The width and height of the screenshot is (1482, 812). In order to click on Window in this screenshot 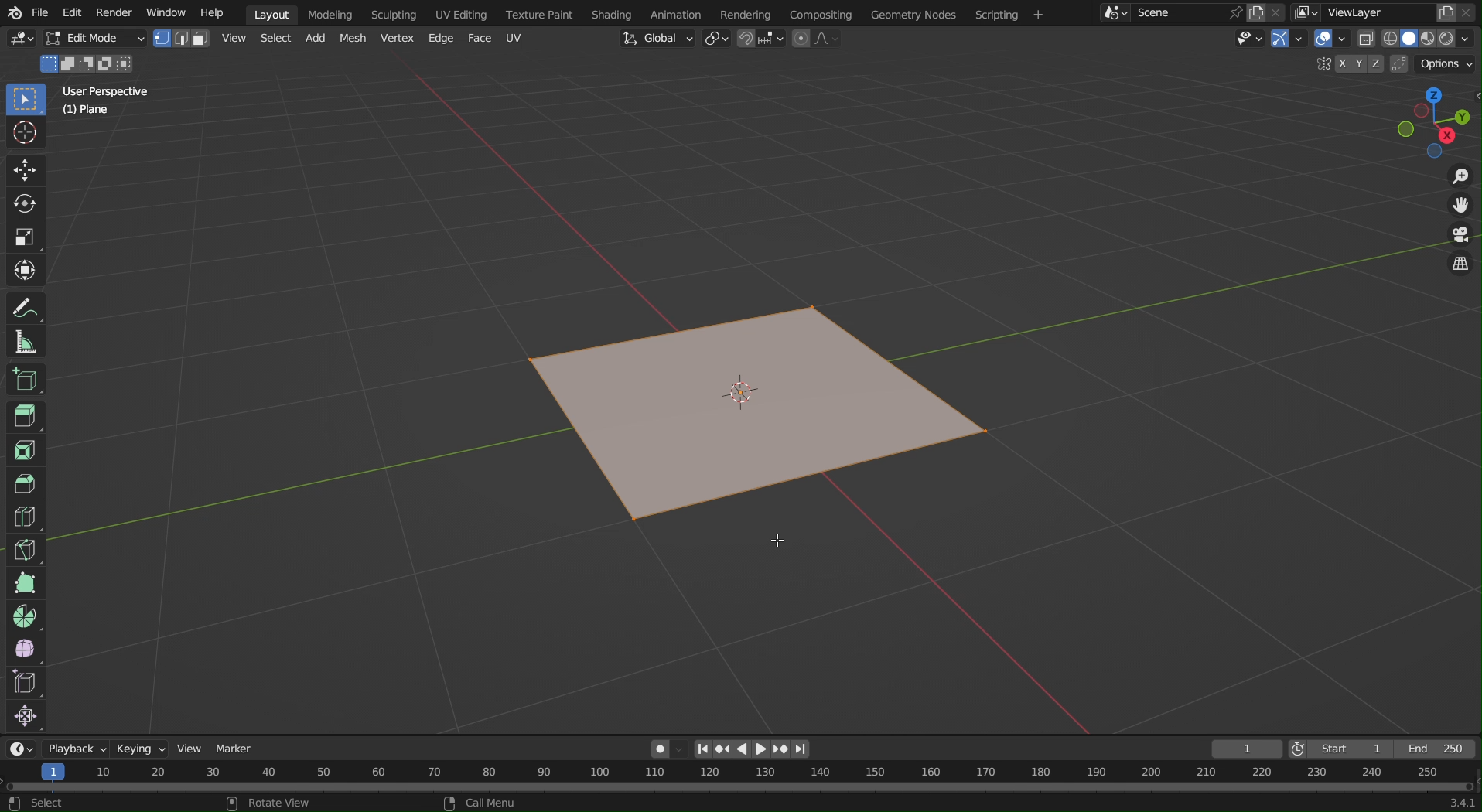, I will do `click(166, 12)`.